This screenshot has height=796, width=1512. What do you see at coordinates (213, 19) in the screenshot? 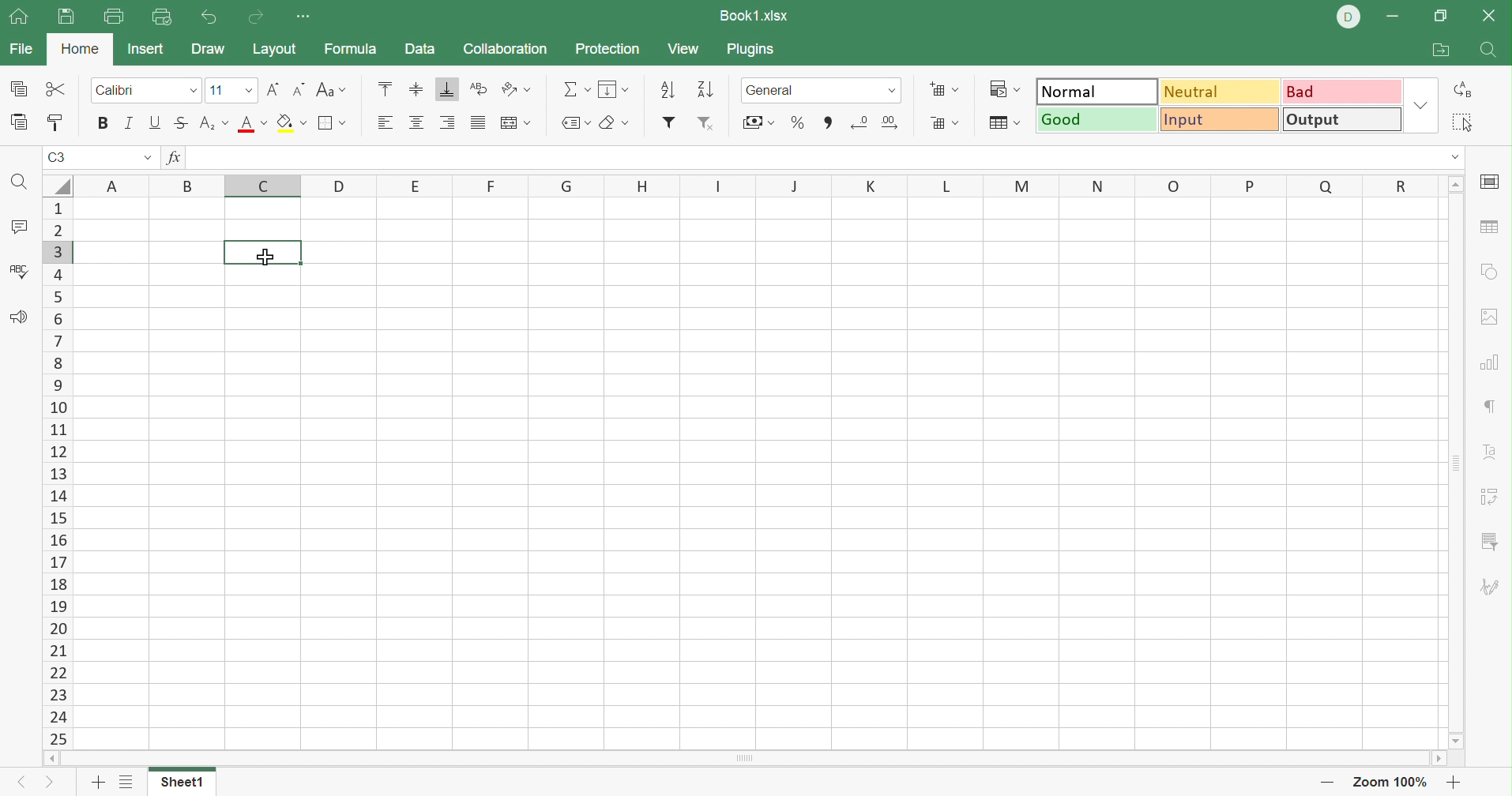
I see `Undo` at bounding box center [213, 19].